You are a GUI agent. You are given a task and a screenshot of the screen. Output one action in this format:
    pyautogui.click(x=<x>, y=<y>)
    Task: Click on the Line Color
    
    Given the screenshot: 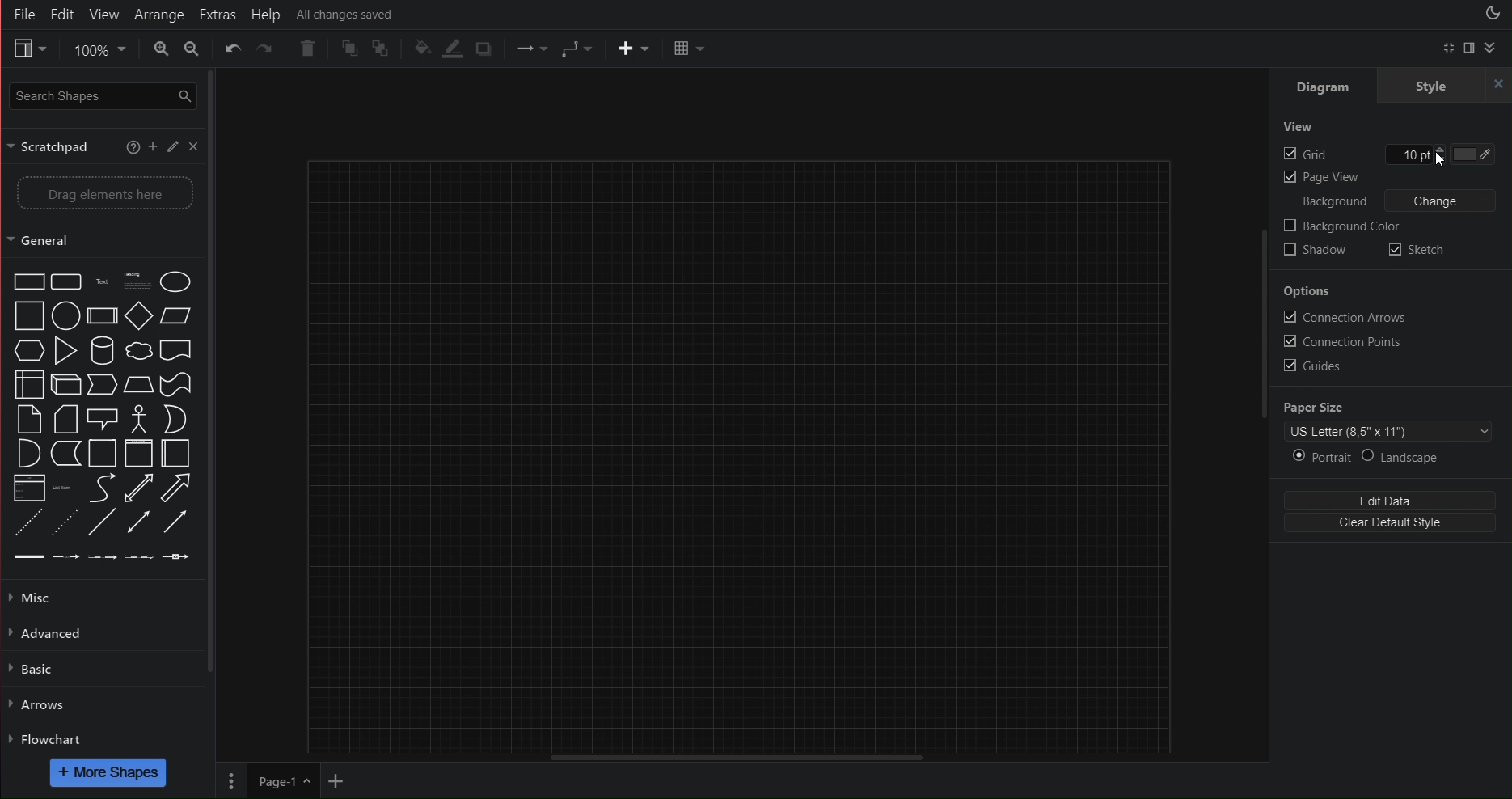 What is the action you would take?
    pyautogui.click(x=453, y=47)
    